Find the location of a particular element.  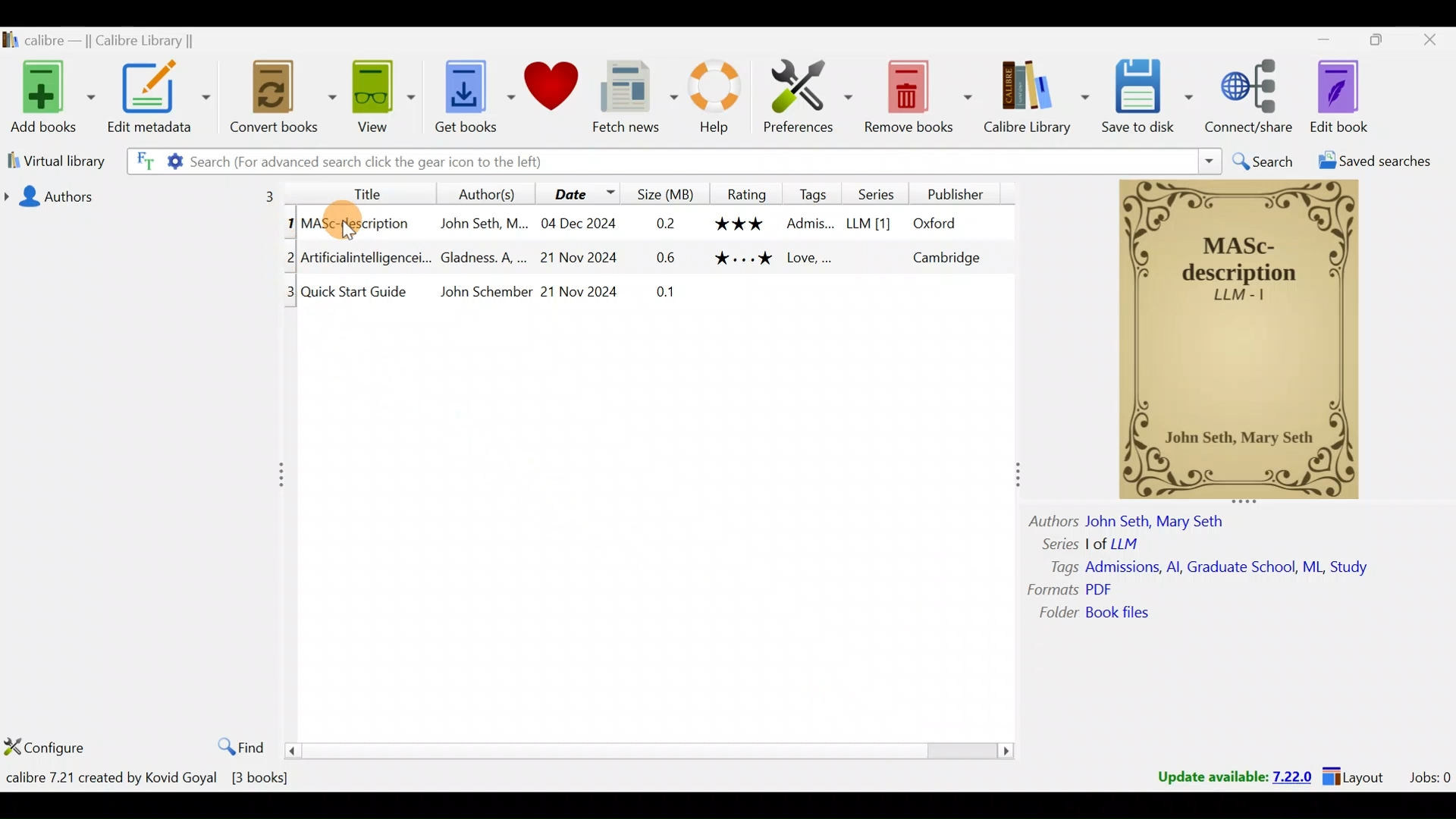

Search is located at coordinates (1262, 159).